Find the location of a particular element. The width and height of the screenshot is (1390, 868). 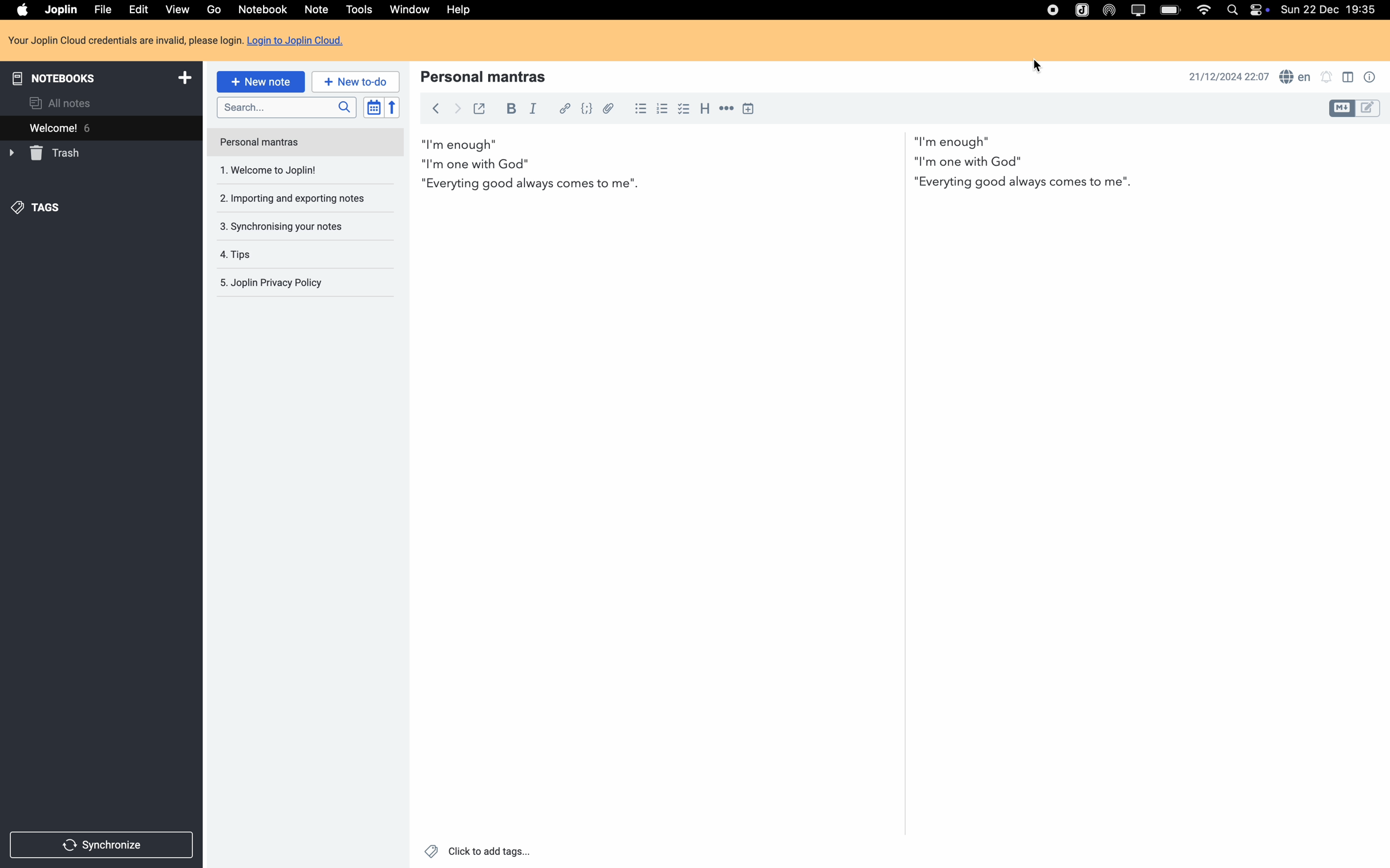

search bar is located at coordinates (285, 107).